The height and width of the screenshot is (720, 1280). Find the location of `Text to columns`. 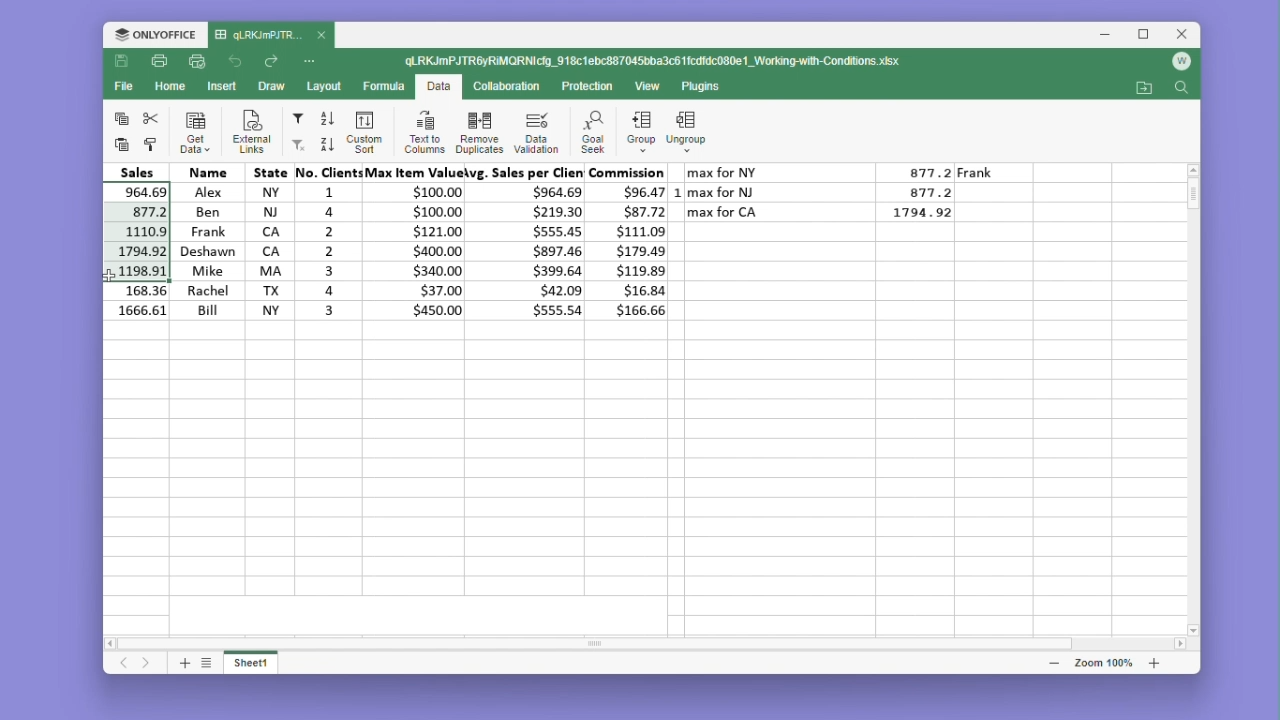

Text to columns is located at coordinates (424, 131).